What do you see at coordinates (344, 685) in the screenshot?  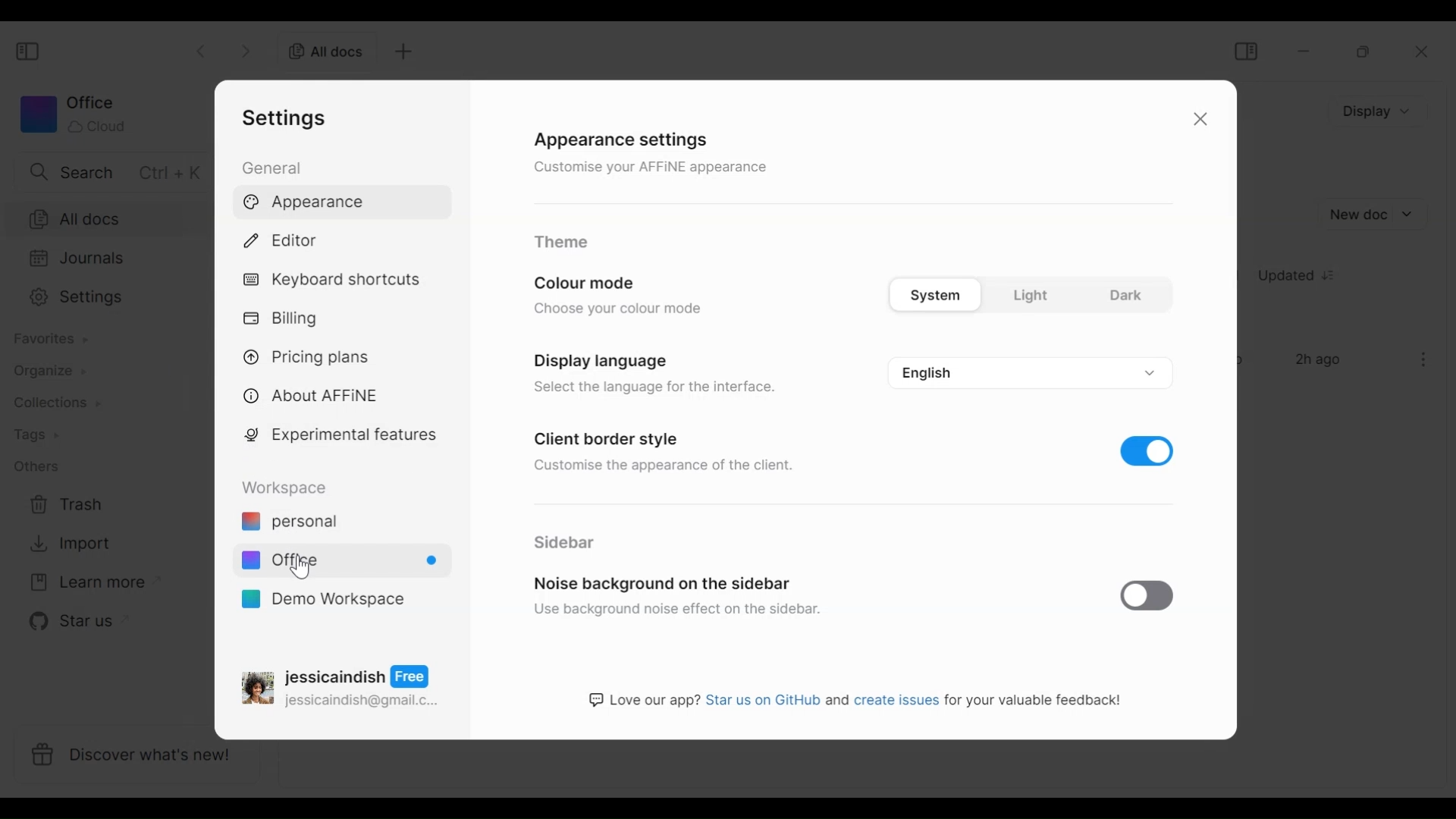 I see `Account` at bounding box center [344, 685].